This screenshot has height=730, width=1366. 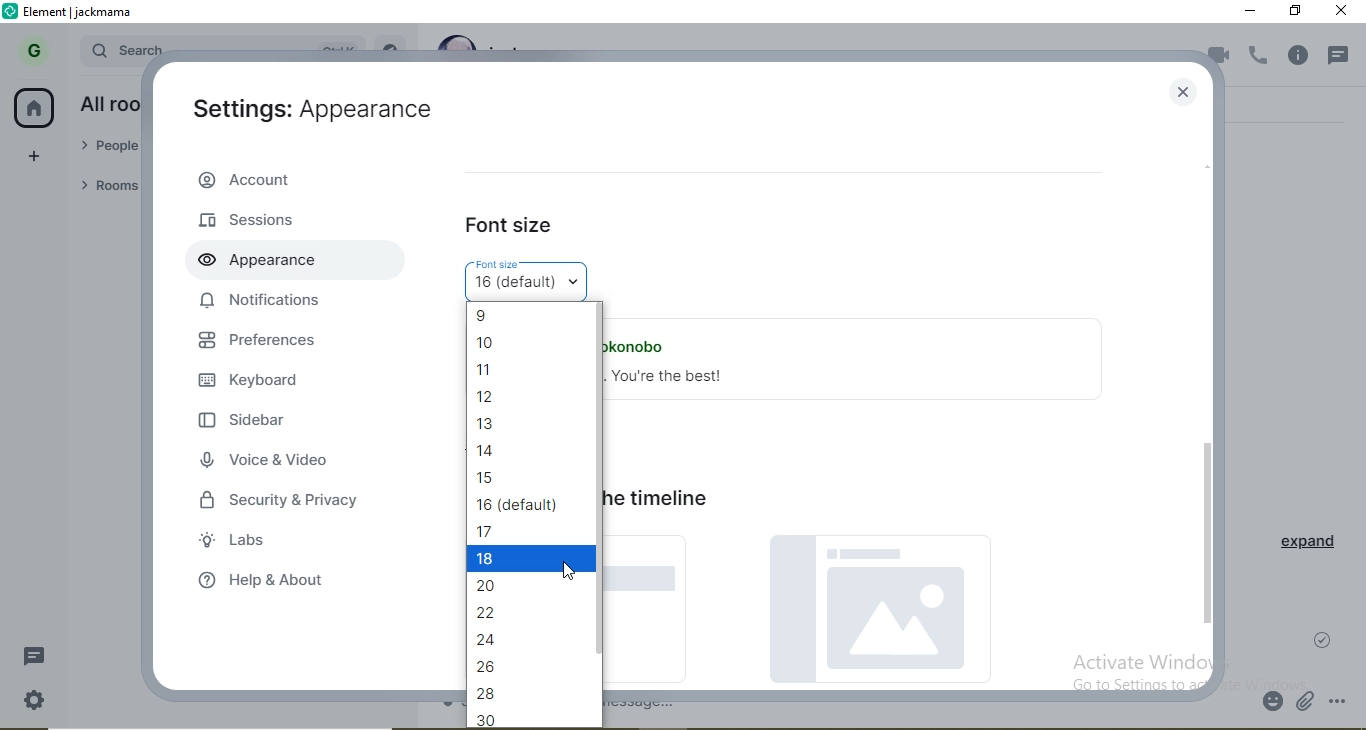 What do you see at coordinates (1124, 686) in the screenshot?
I see `go to settings` at bounding box center [1124, 686].